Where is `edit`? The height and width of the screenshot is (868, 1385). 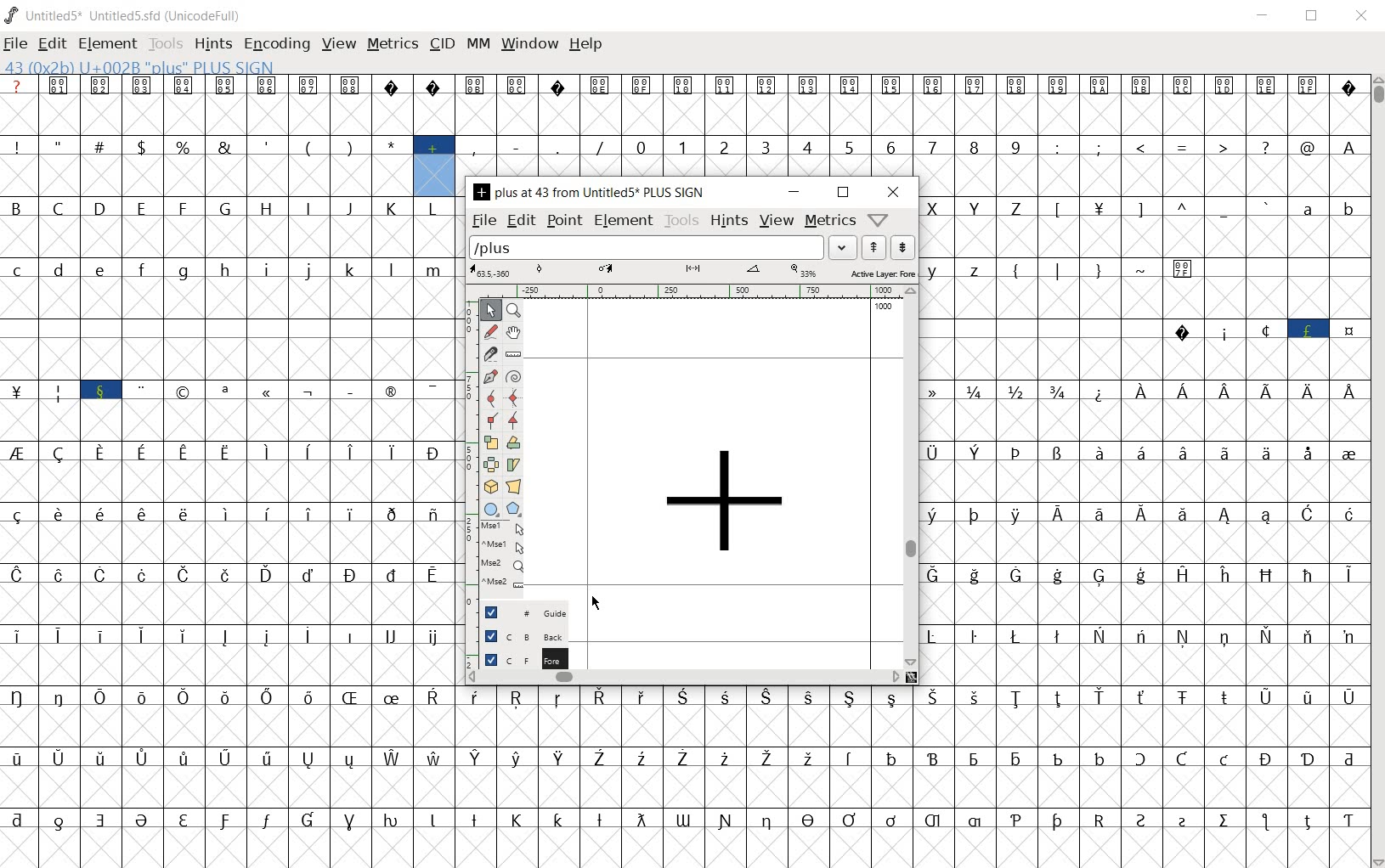
edit is located at coordinates (51, 42).